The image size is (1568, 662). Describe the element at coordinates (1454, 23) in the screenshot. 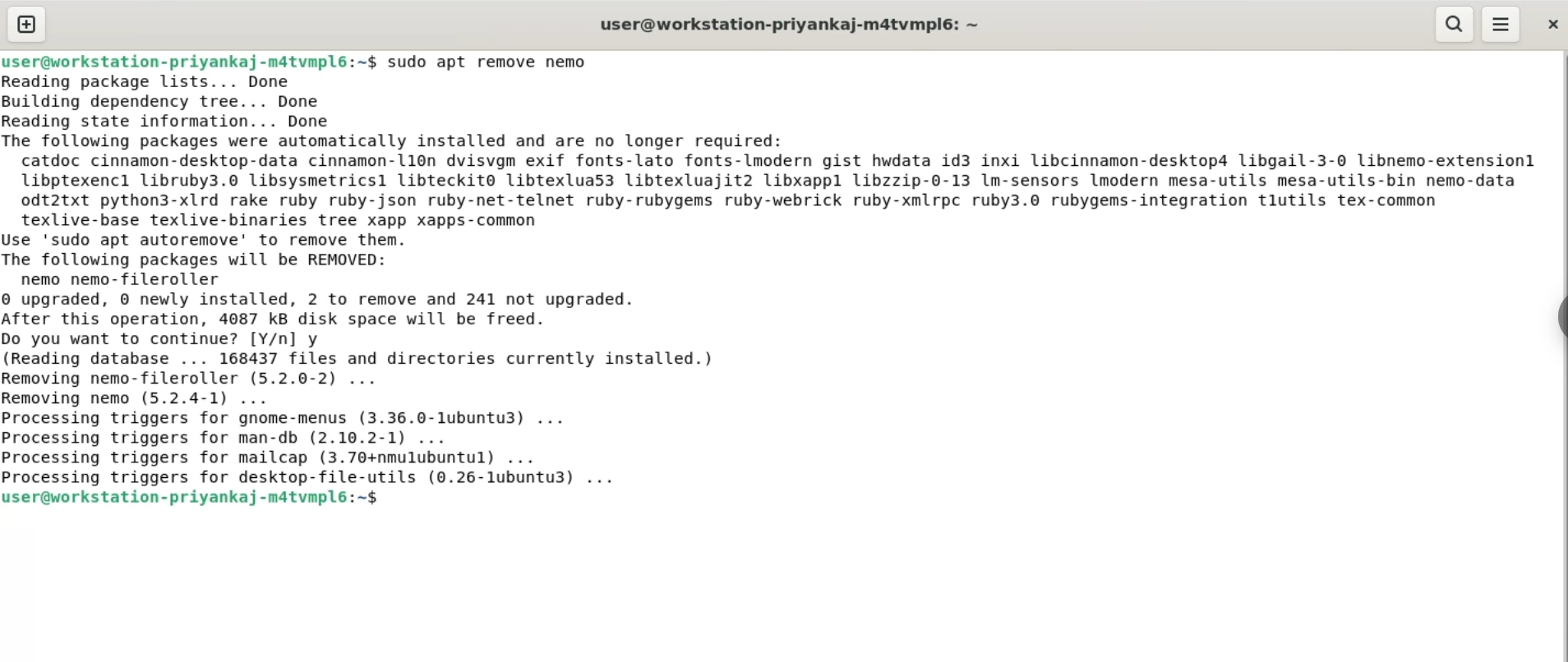

I see `search` at that location.